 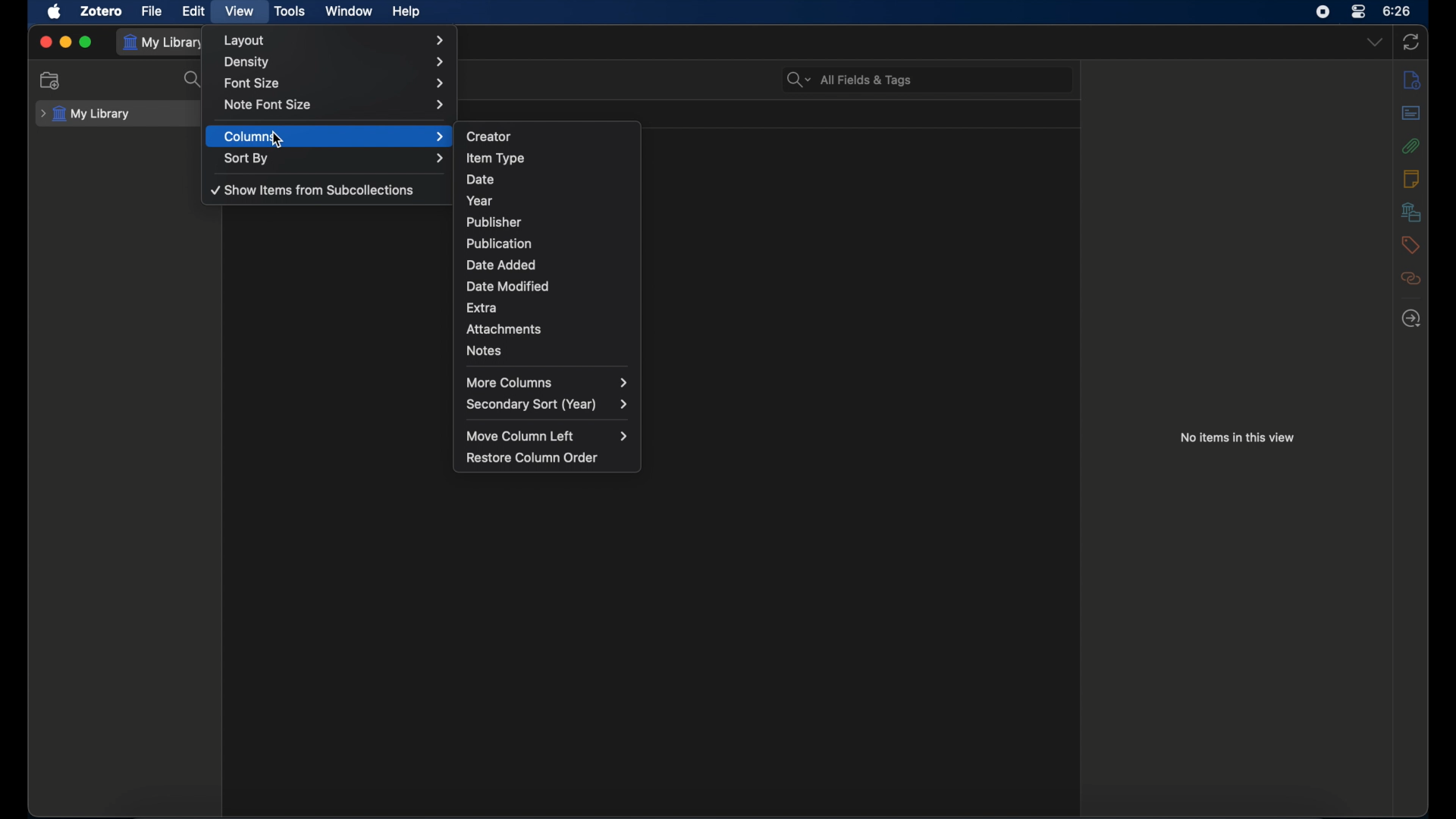 What do you see at coordinates (85, 114) in the screenshot?
I see `my library` at bounding box center [85, 114].